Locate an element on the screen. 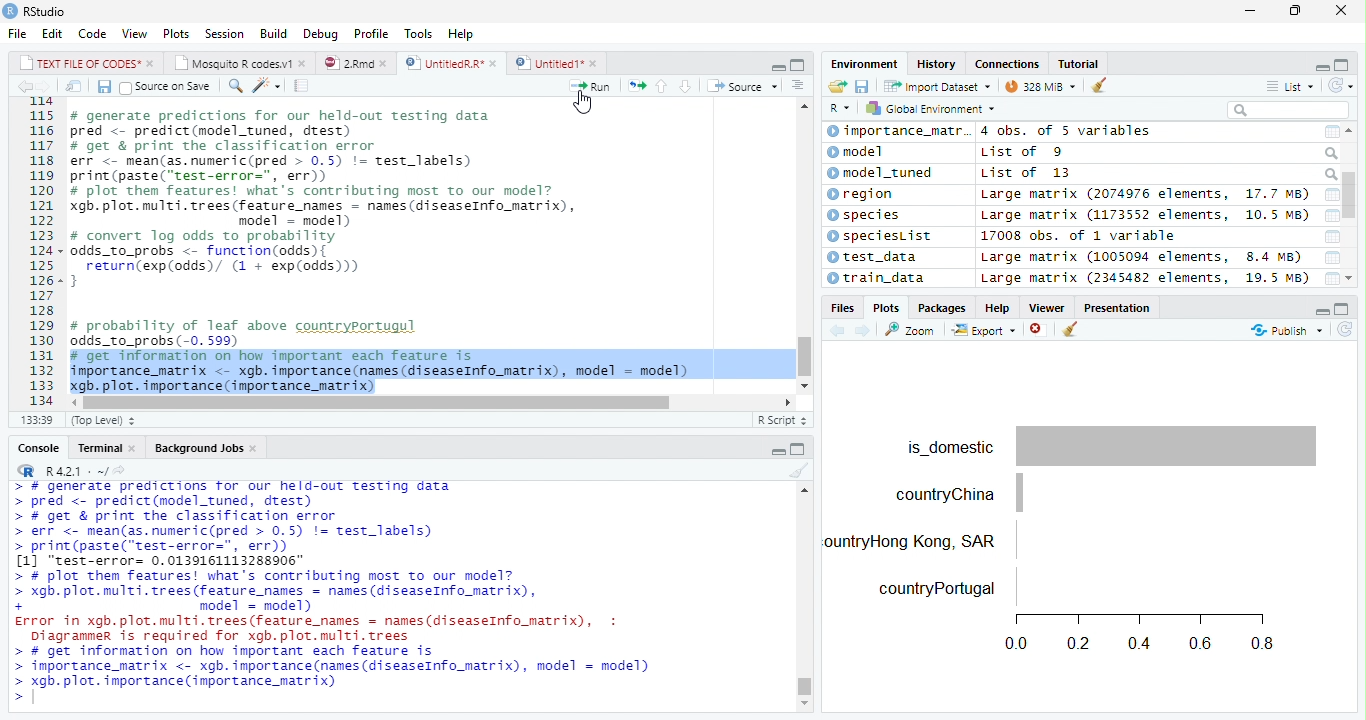 The height and width of the screenshot is (720, 1366). Connections is located at coordinates (1007, 64).